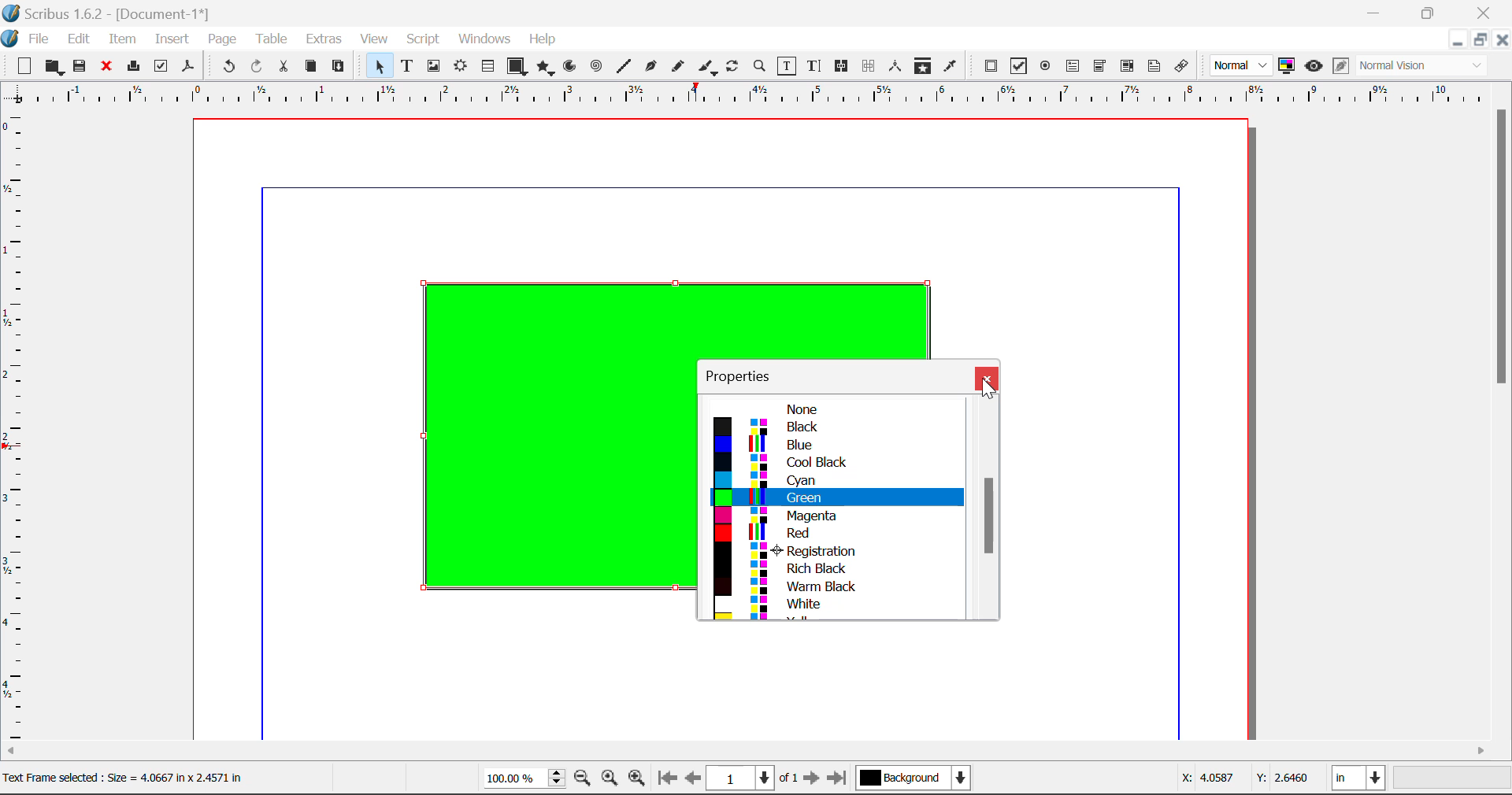  What do you see at coordinates (433, 66) in the screenshot?
I see `Image Frame` at bounding box center [433, 66].